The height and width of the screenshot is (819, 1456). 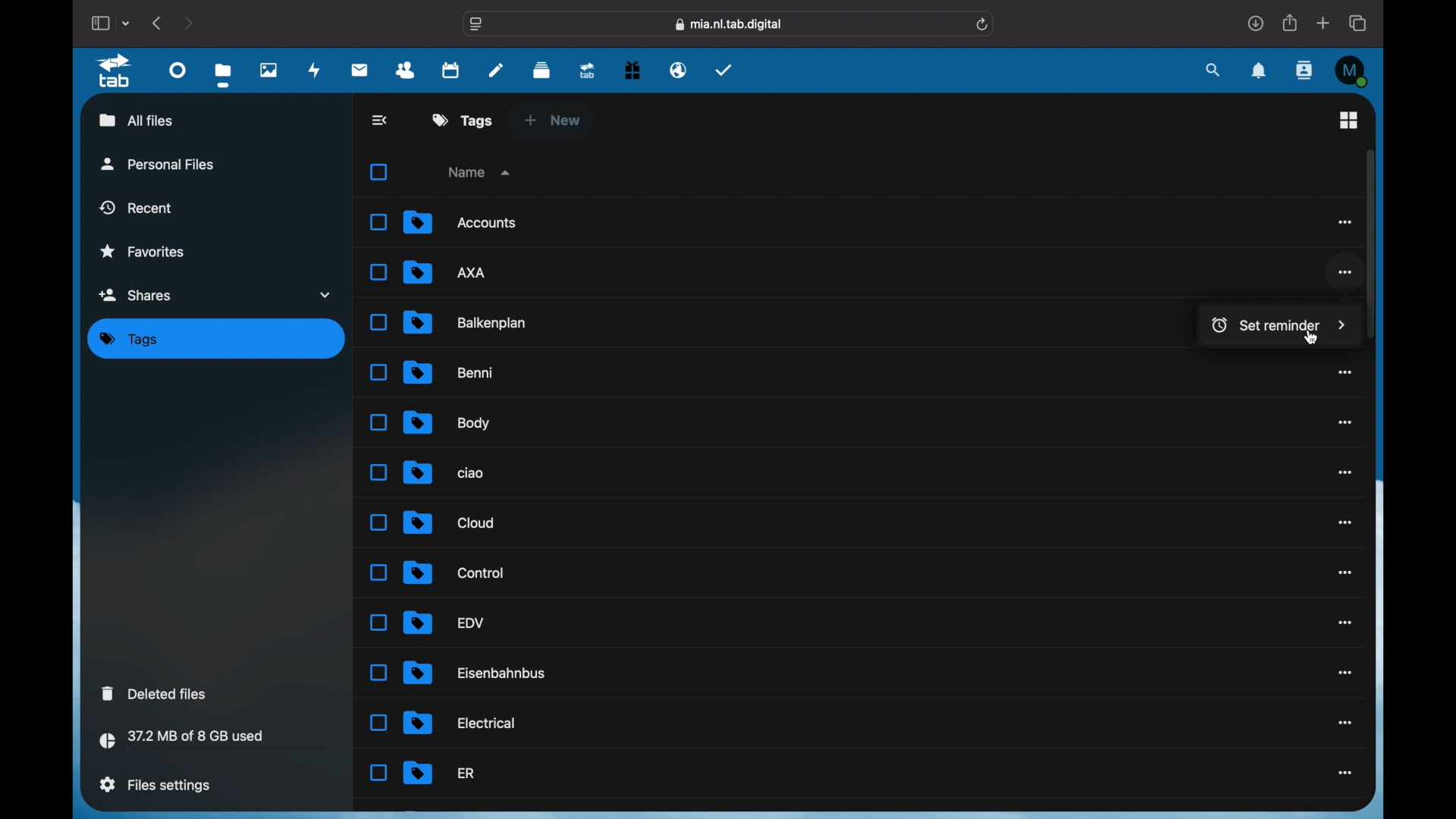 What do you see at coordinates (1348, 120) in the screenshot?
I see `grid view` at bounding box center [1348, 120].